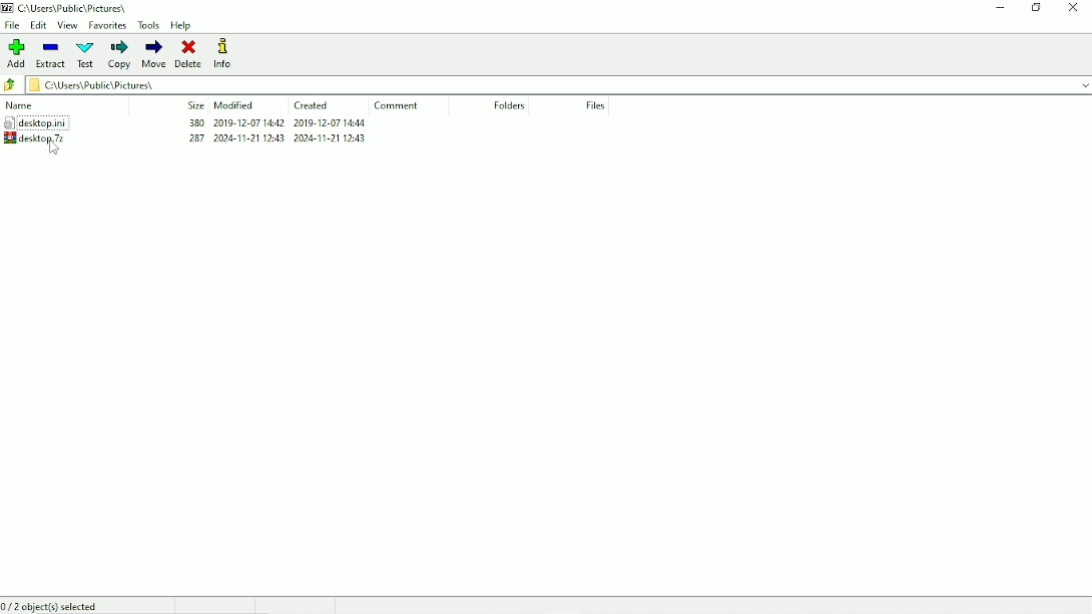 The width and height of the screenshot is (1092, 614). Describe the element at coordinates (188, 53) in the screenshot. I see `Delete` at that location.